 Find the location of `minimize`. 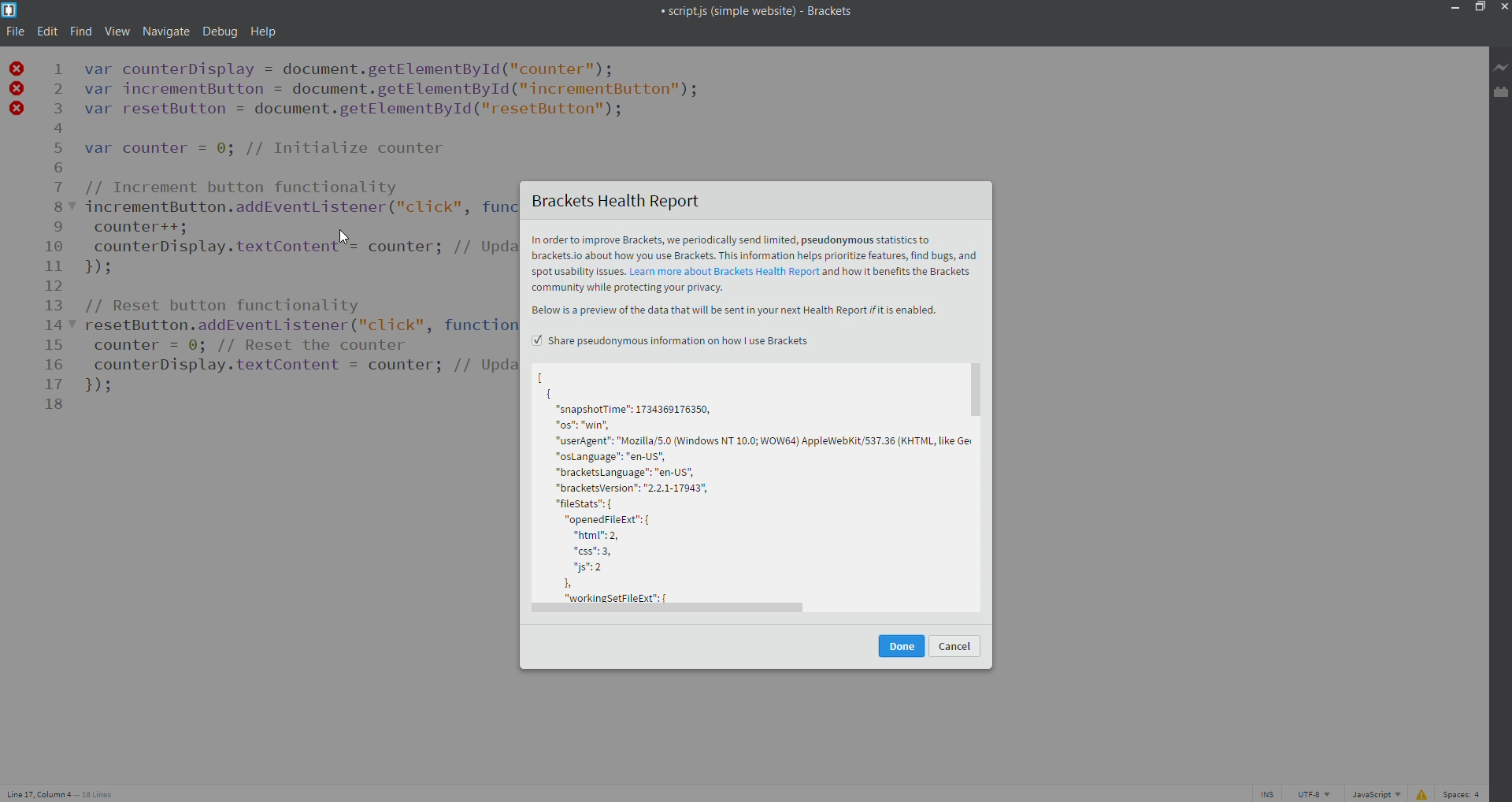

minimize is located at coordinates (1455, 9).